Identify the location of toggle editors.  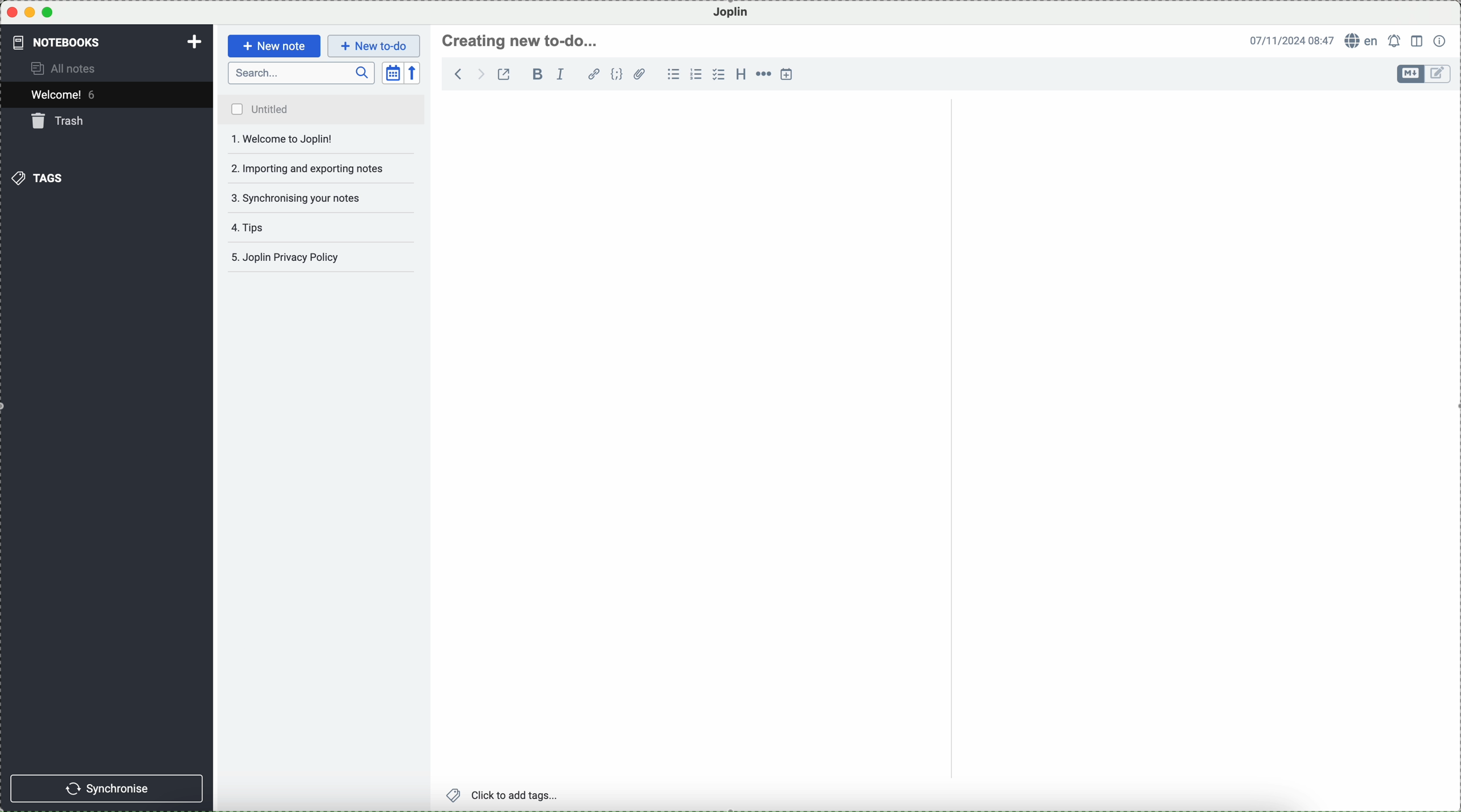
(1411, 74).